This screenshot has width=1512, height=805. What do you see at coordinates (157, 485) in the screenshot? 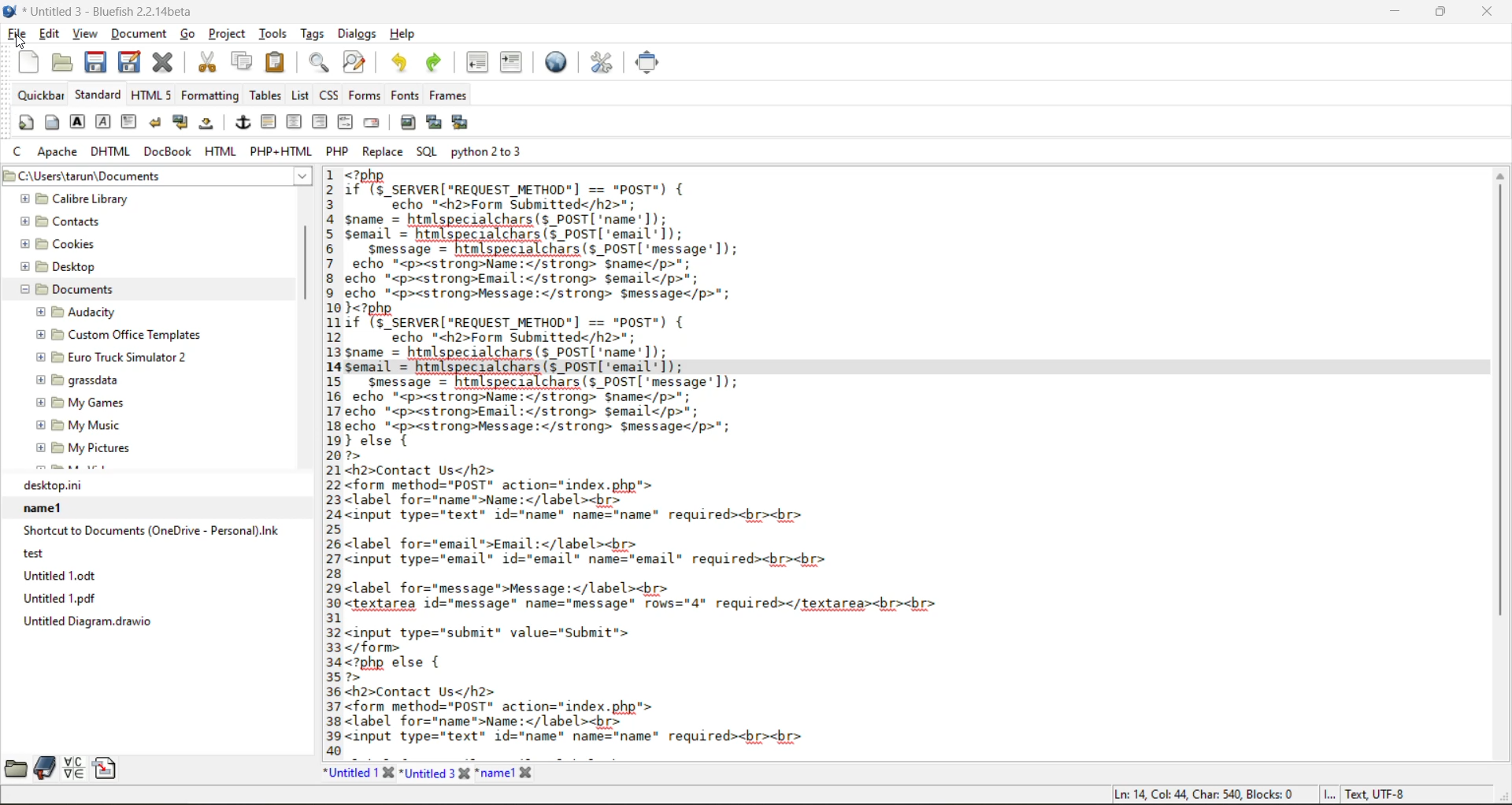
I see `desktop.ini` at bounding box center [157, 485].